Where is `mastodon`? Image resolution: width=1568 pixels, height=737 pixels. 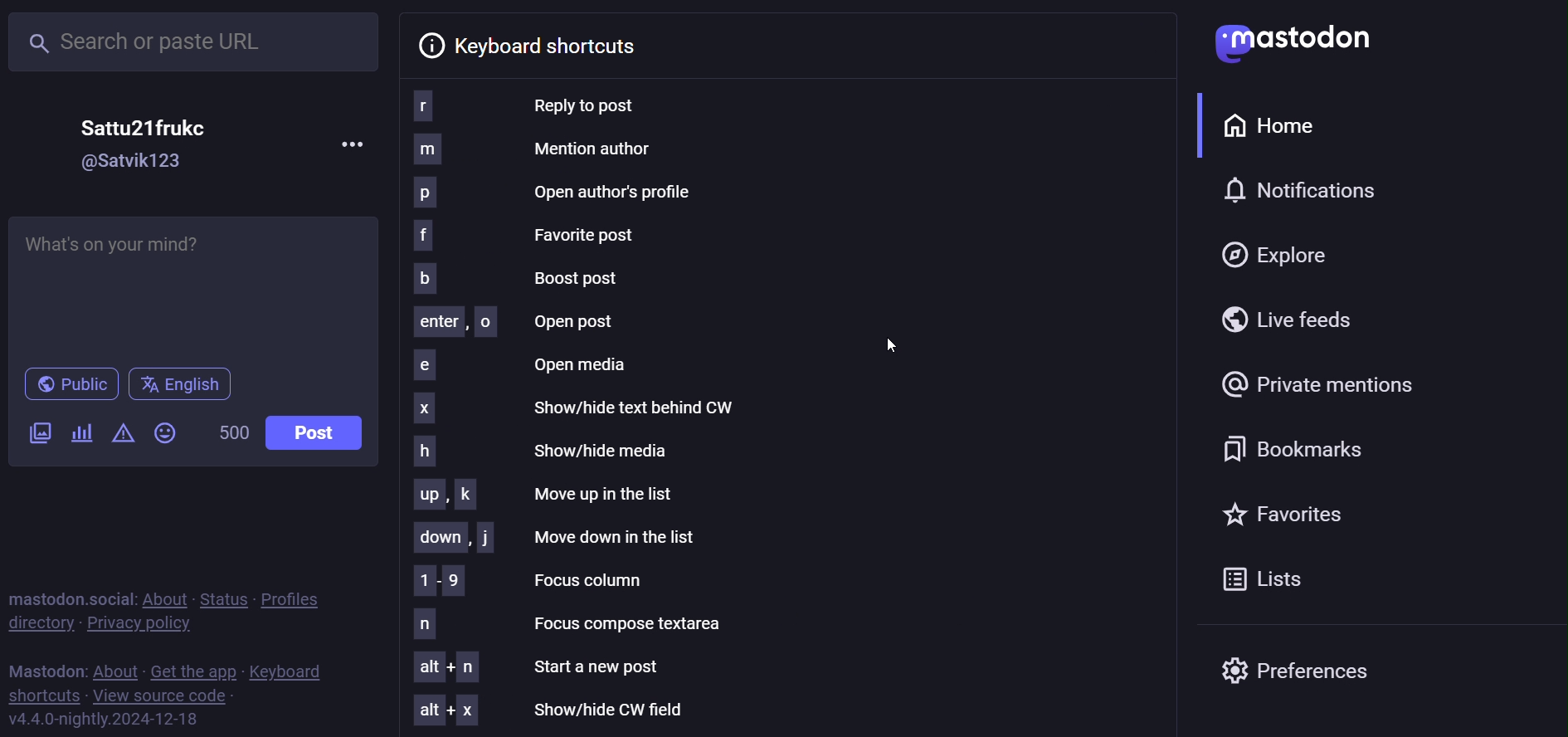
mastodon is located at coordinates (45, 666).